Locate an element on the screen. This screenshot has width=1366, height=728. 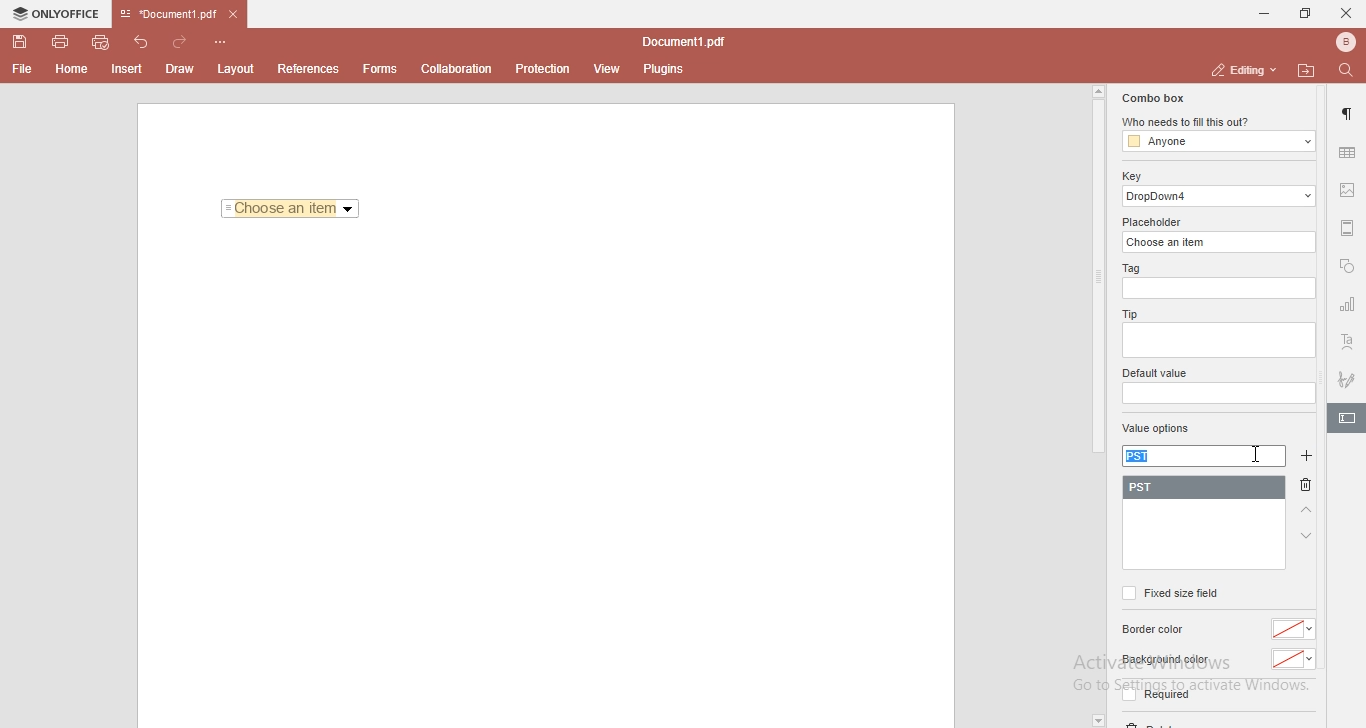
chart is located at coordinates (1348, 308).